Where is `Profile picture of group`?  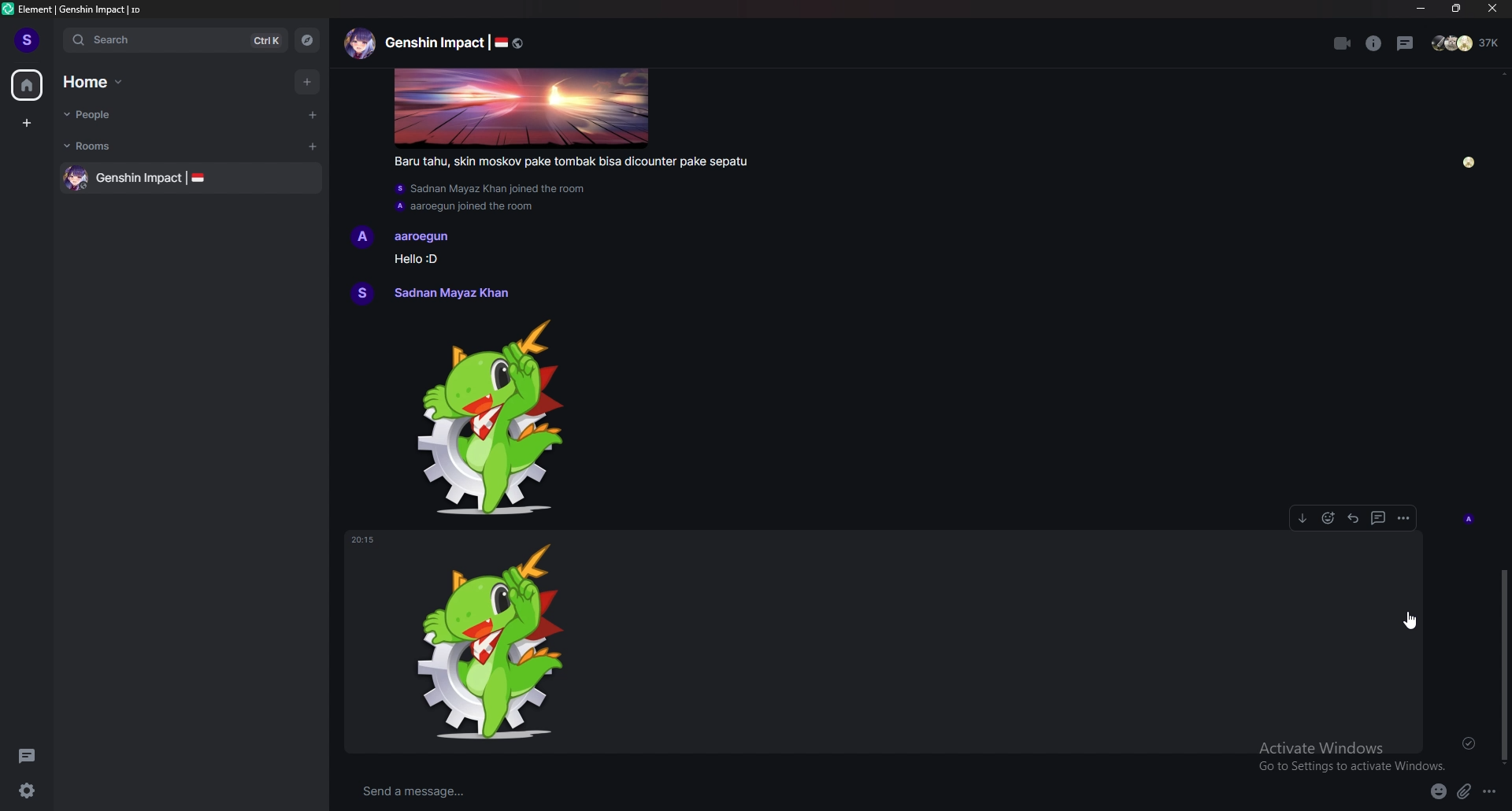
Profile picture of group is located at coordinates (76, 178).